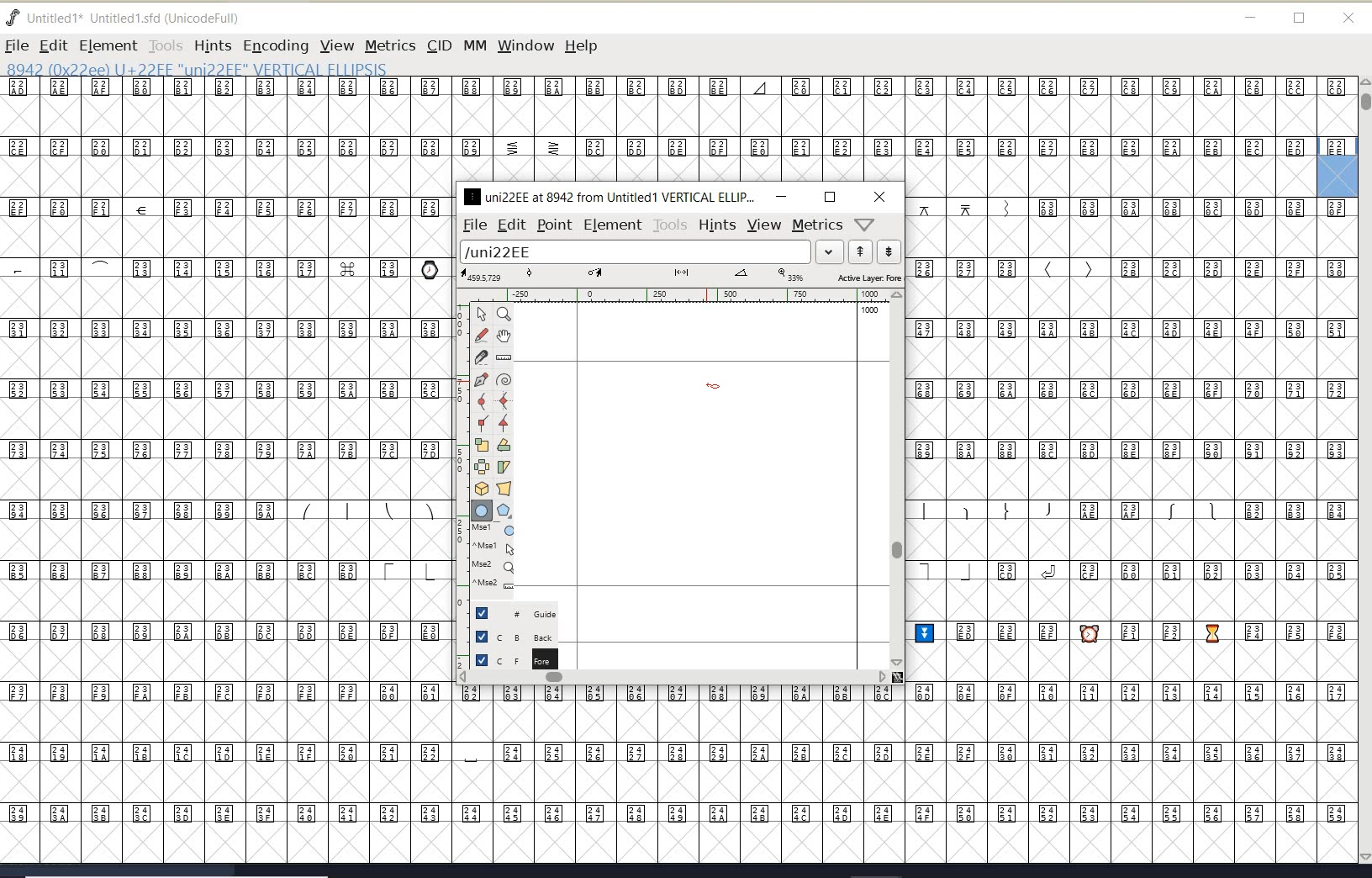  Describe the element at coordinates (876, 253) in the screenshot. I see `show previous/next word list` at that location.